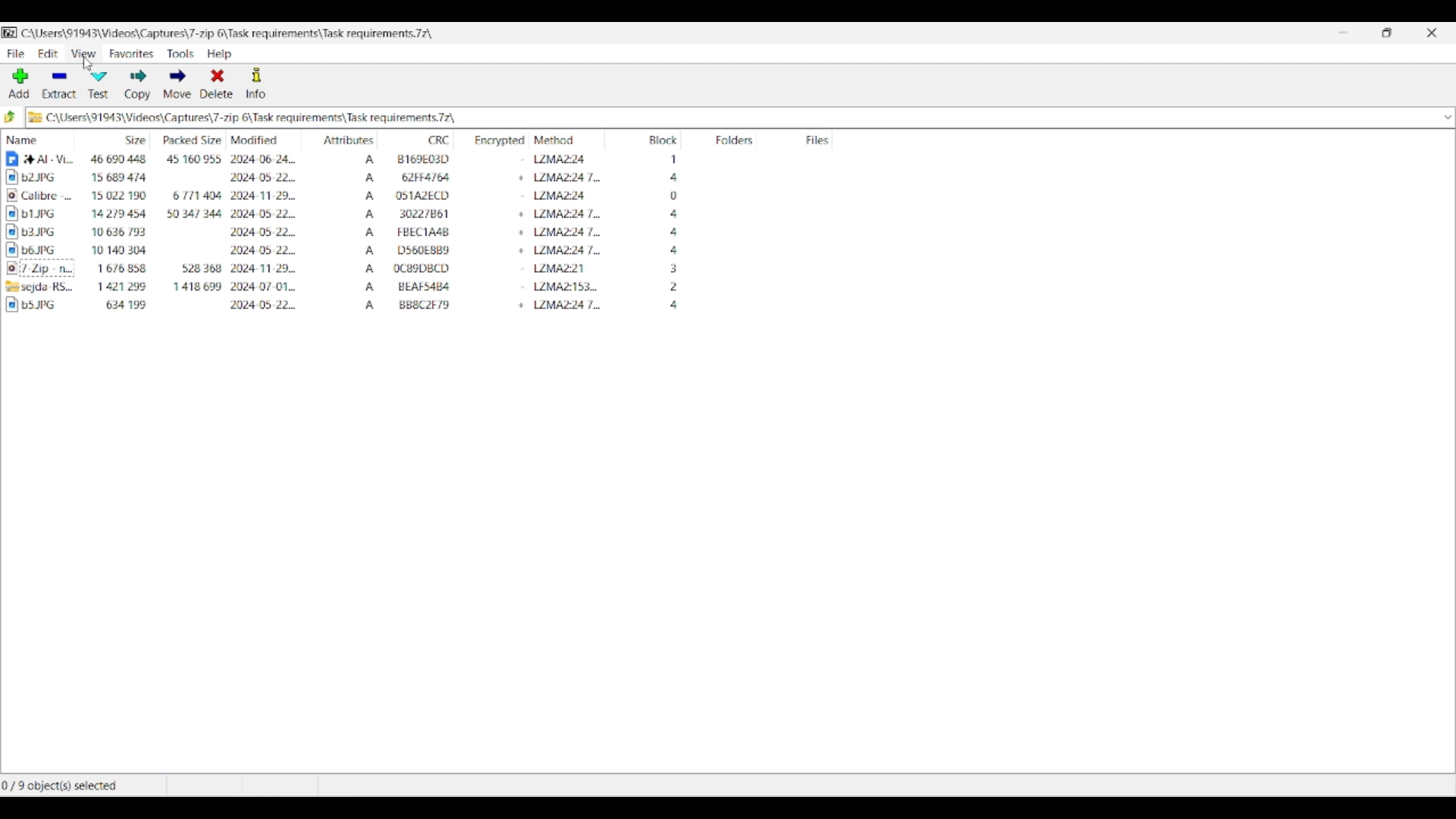  Describe the element at coordinates (1448, 118) in the screenshot. I see `List folder locations` at that location.